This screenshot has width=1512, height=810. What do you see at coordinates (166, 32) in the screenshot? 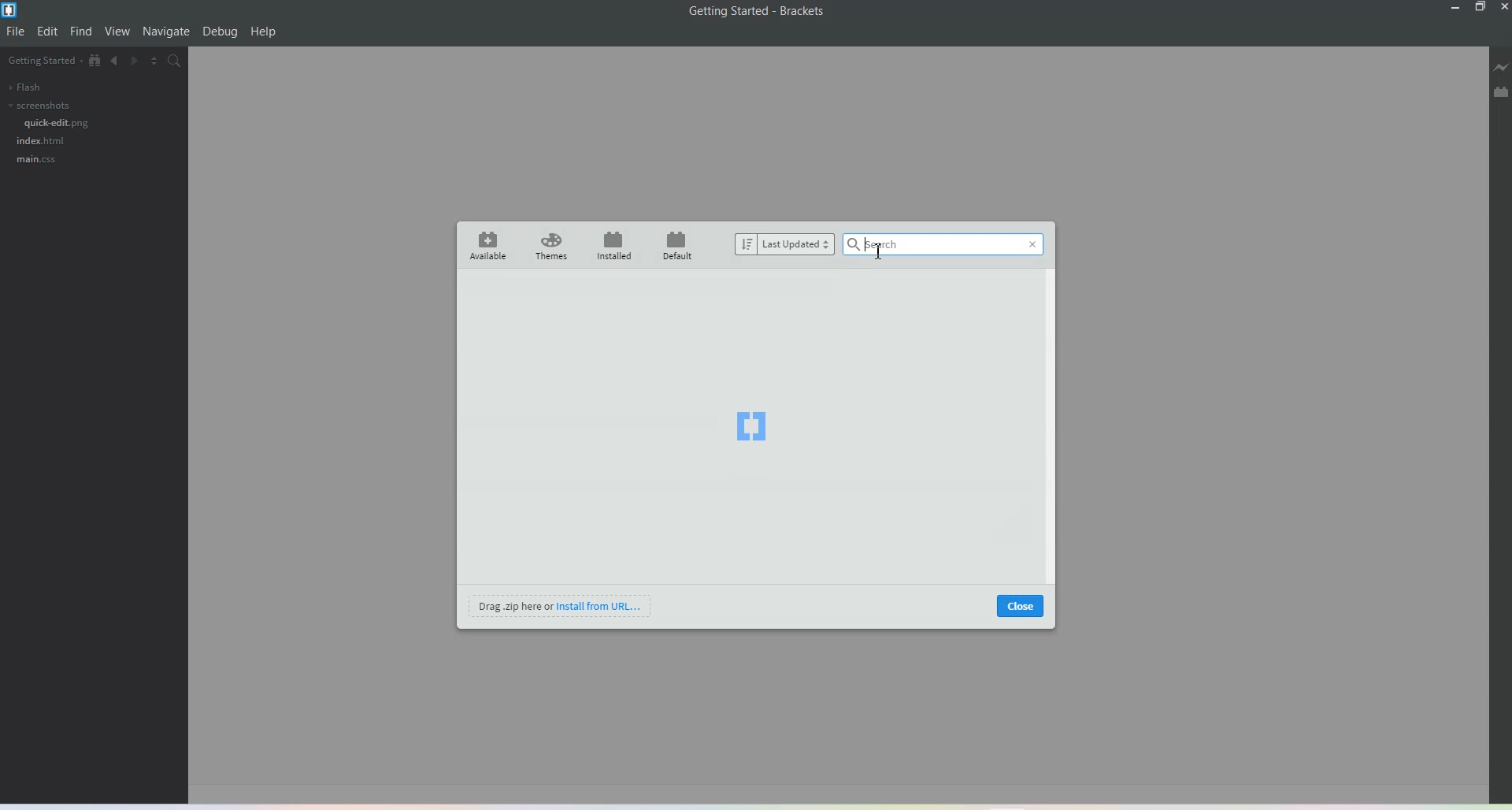
I see `Navigate` at bounding box center [166, 32].